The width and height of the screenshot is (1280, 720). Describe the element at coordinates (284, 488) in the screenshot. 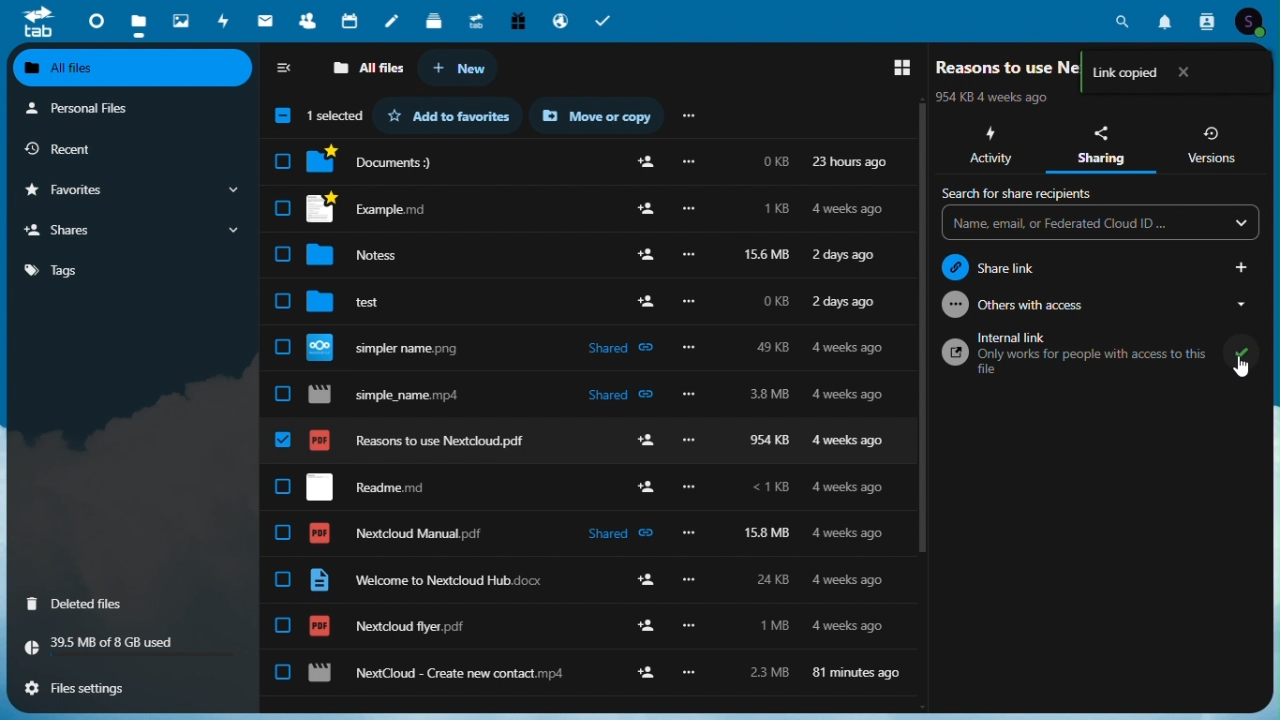

I see `checkbox` at that location.